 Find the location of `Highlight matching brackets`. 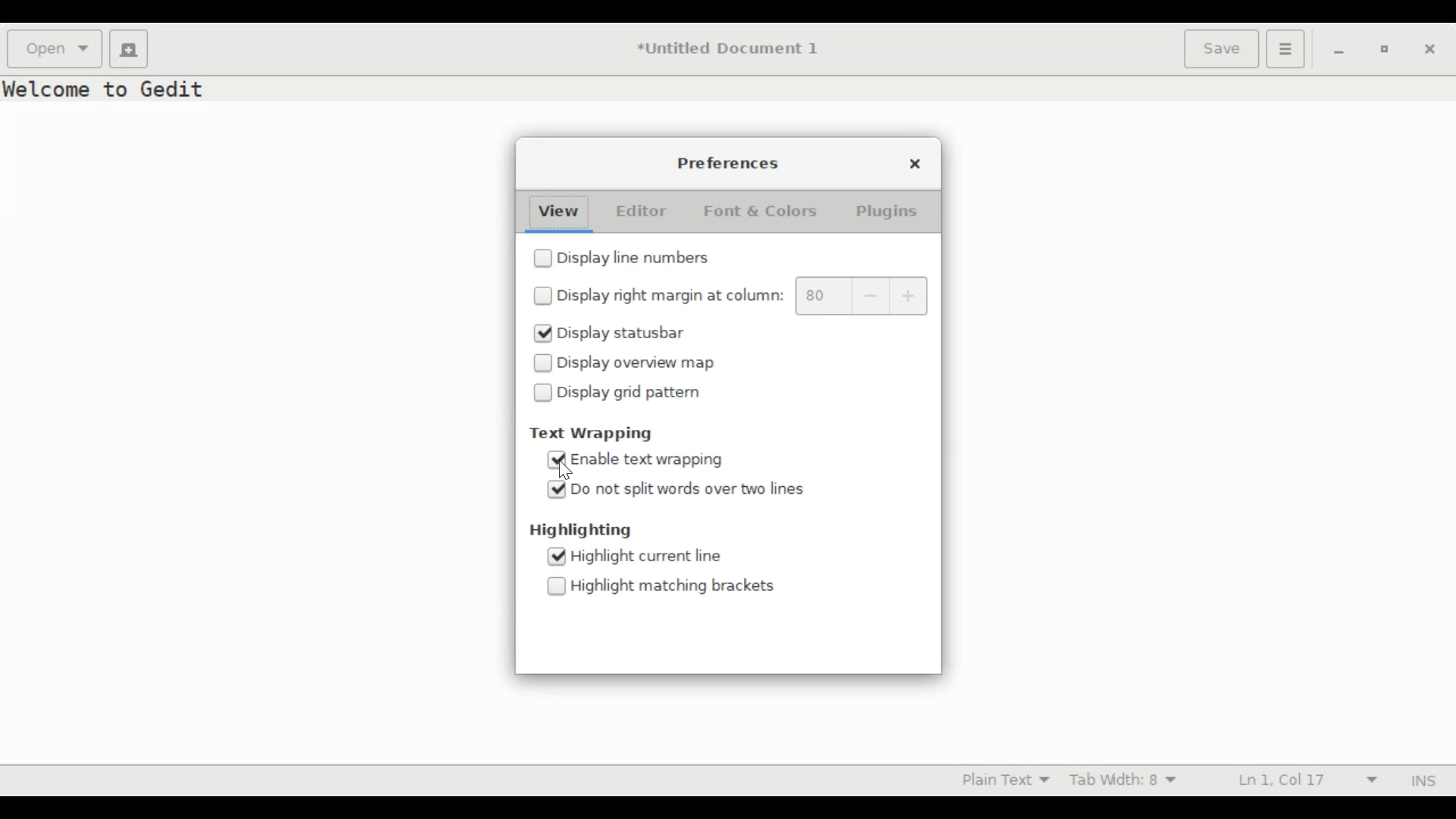

Highlight matching brackets is located at coordinates (673, 587).